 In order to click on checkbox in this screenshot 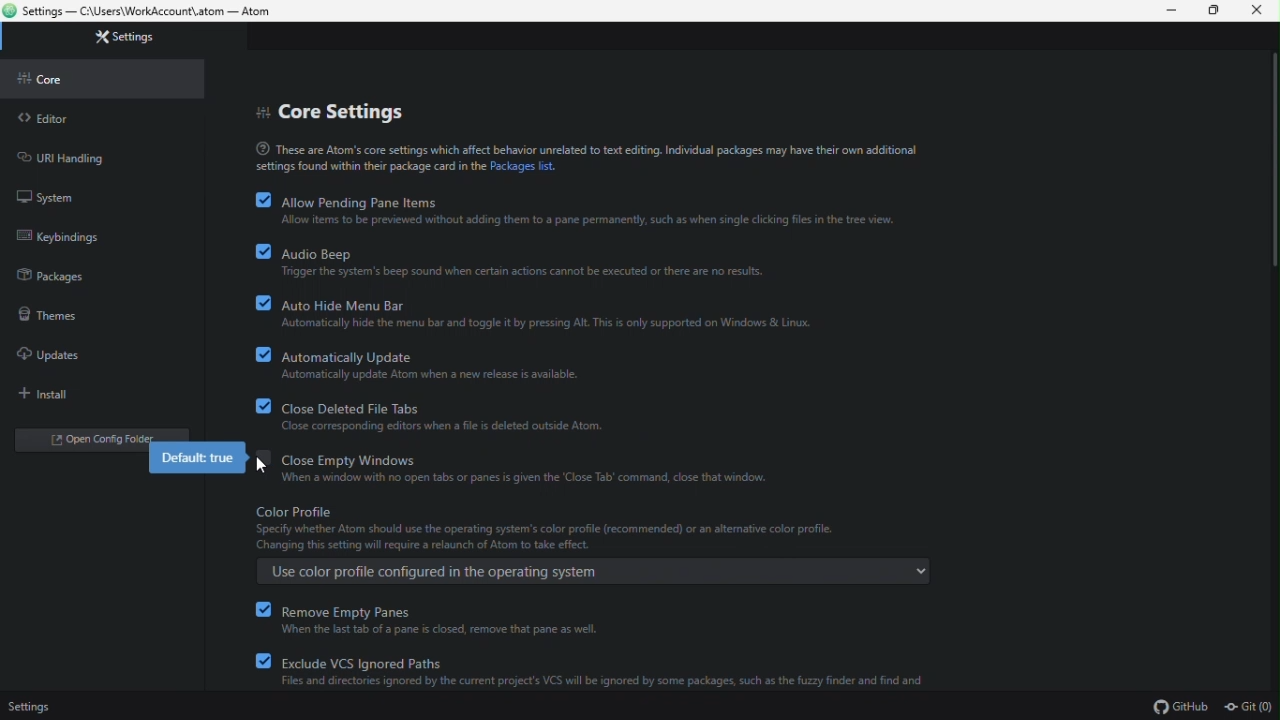, I will do `click(263, 201)`.